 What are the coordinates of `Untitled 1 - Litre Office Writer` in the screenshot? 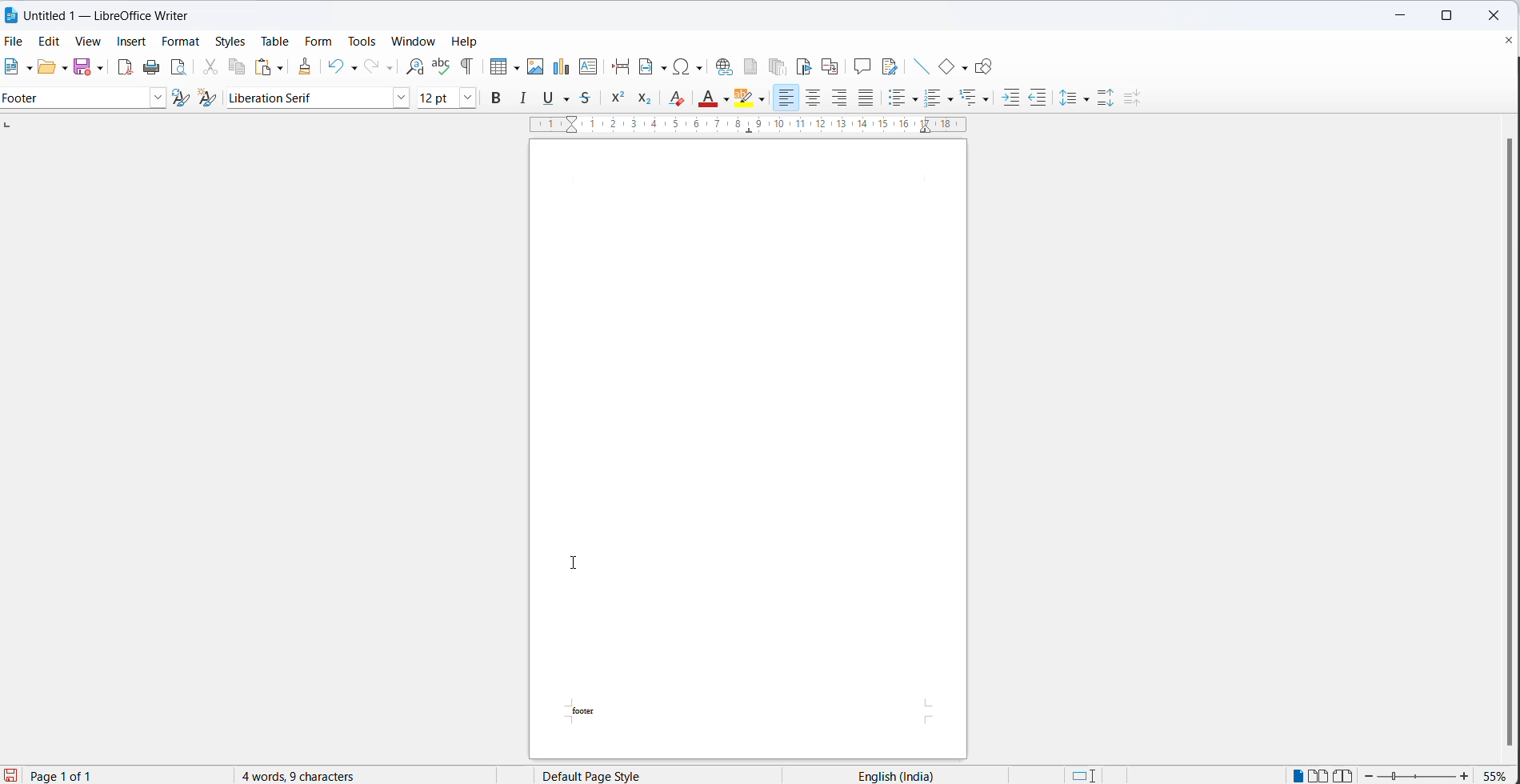 It's located at (107, 14).